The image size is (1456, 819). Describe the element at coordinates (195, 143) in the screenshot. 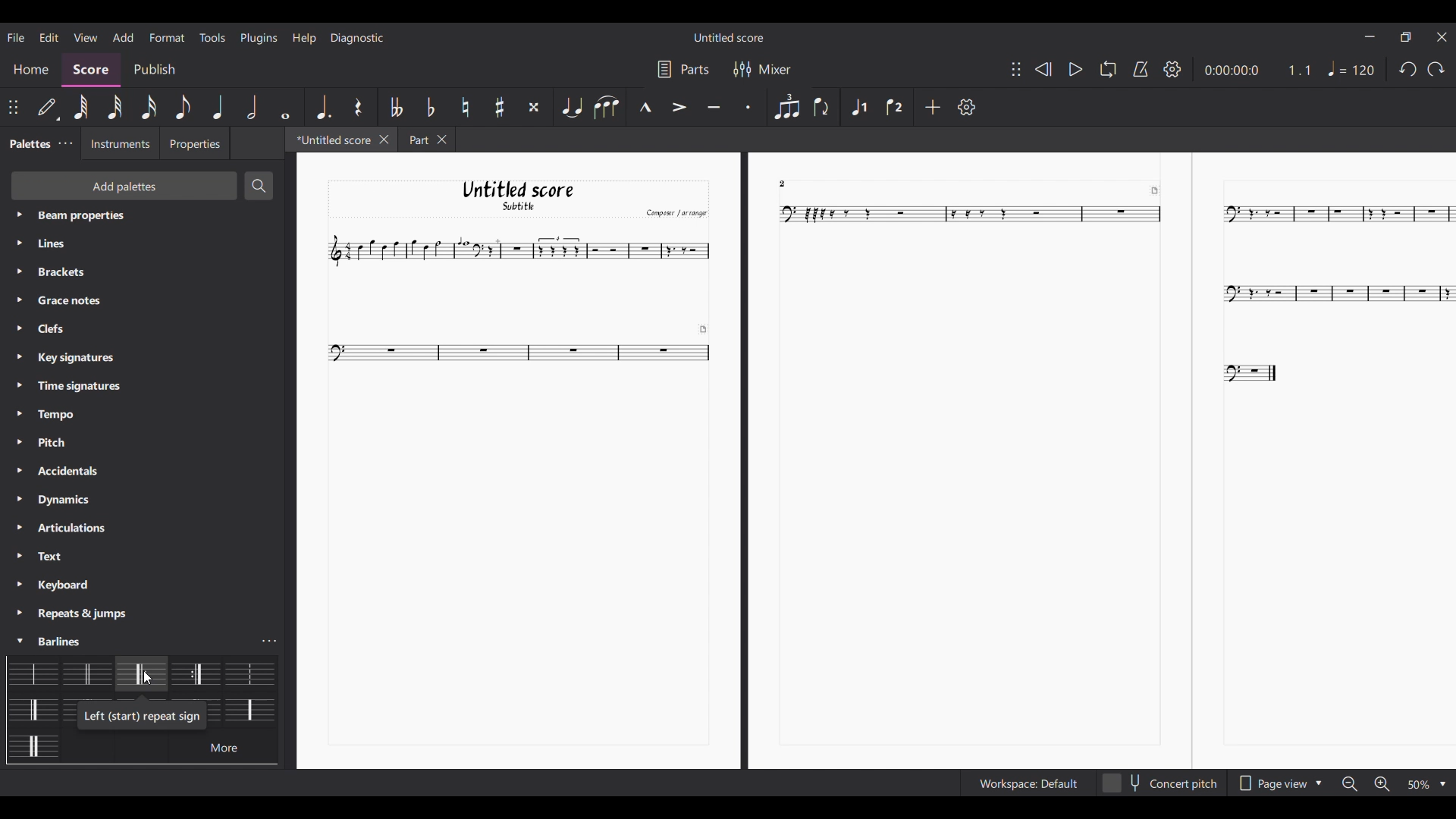

I see `Properties tab` at that location.